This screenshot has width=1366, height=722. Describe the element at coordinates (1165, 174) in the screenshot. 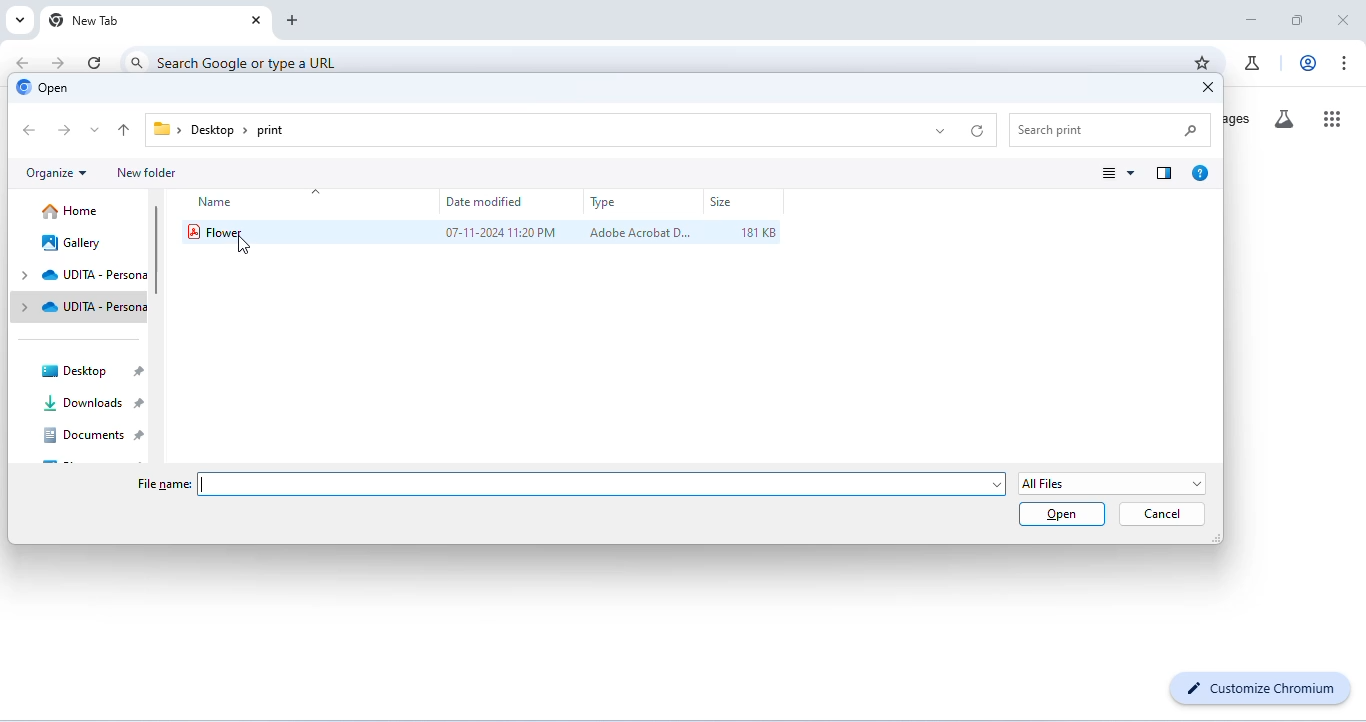

I see `show preview pane` at that location.